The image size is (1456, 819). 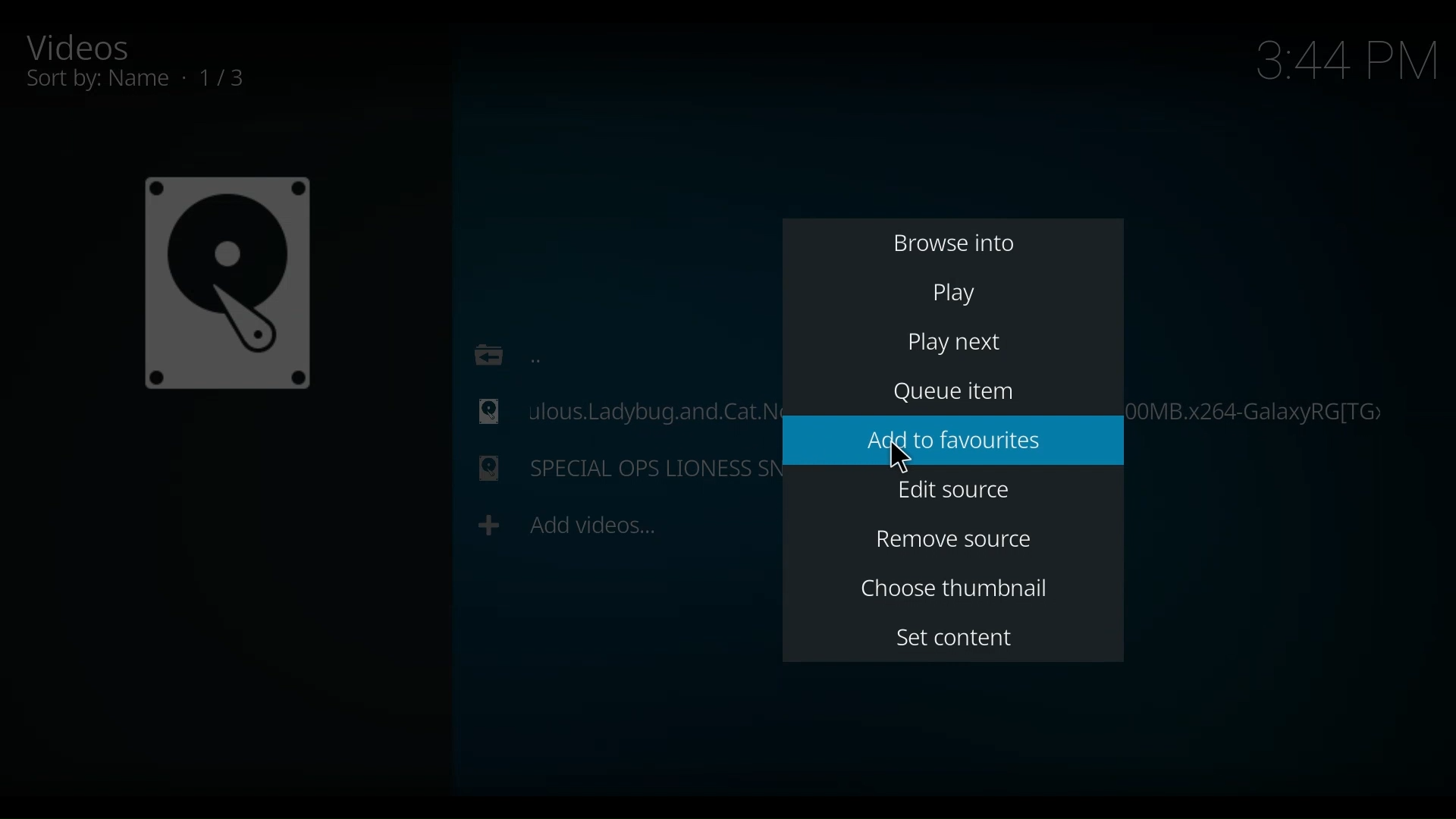 What do you see at coordinates (155, 80) in the screenshot?
I see `Sort by Name` at bounding box center [155, 80].